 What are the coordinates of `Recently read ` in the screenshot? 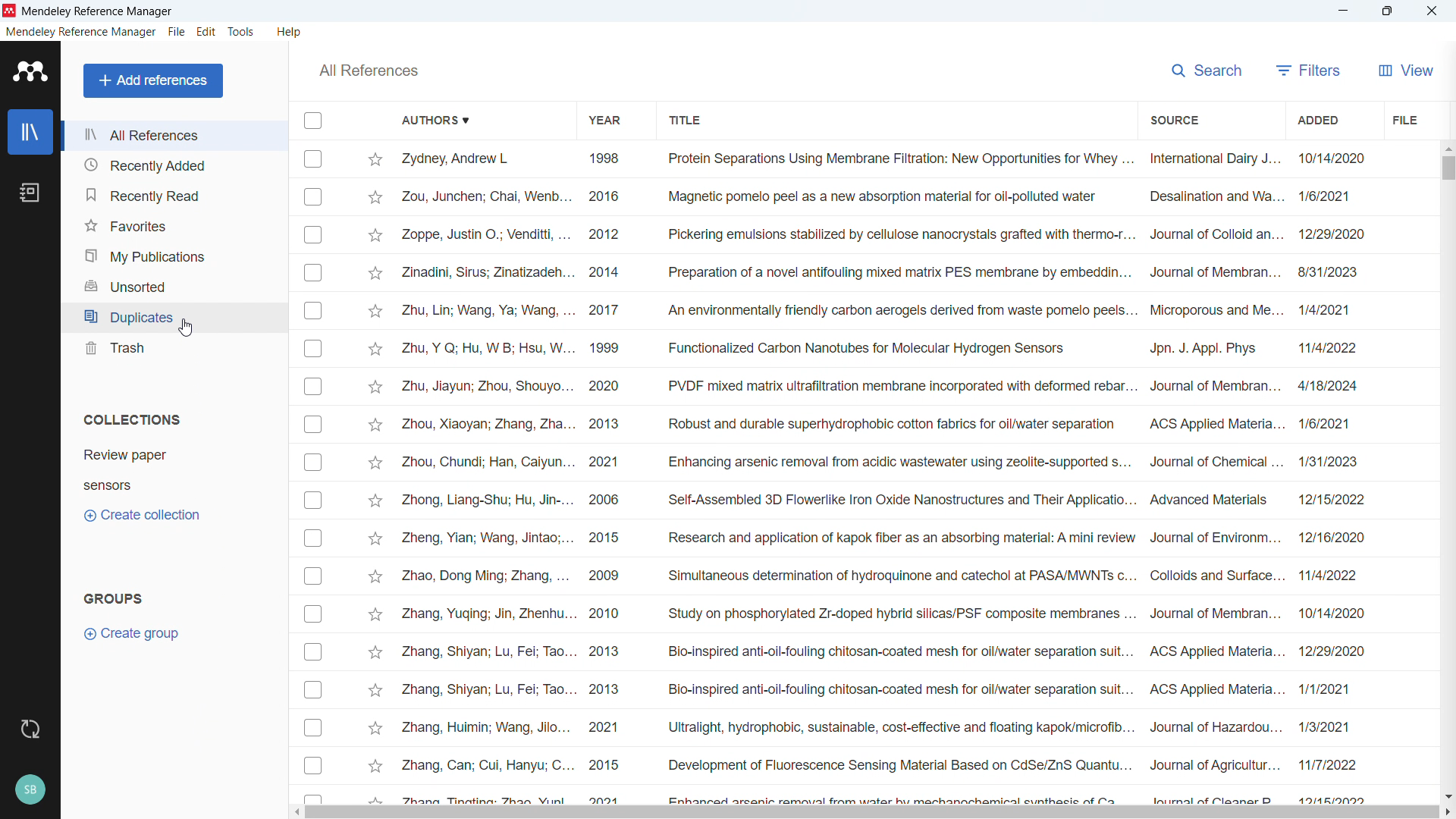 It's located at (172, 193).